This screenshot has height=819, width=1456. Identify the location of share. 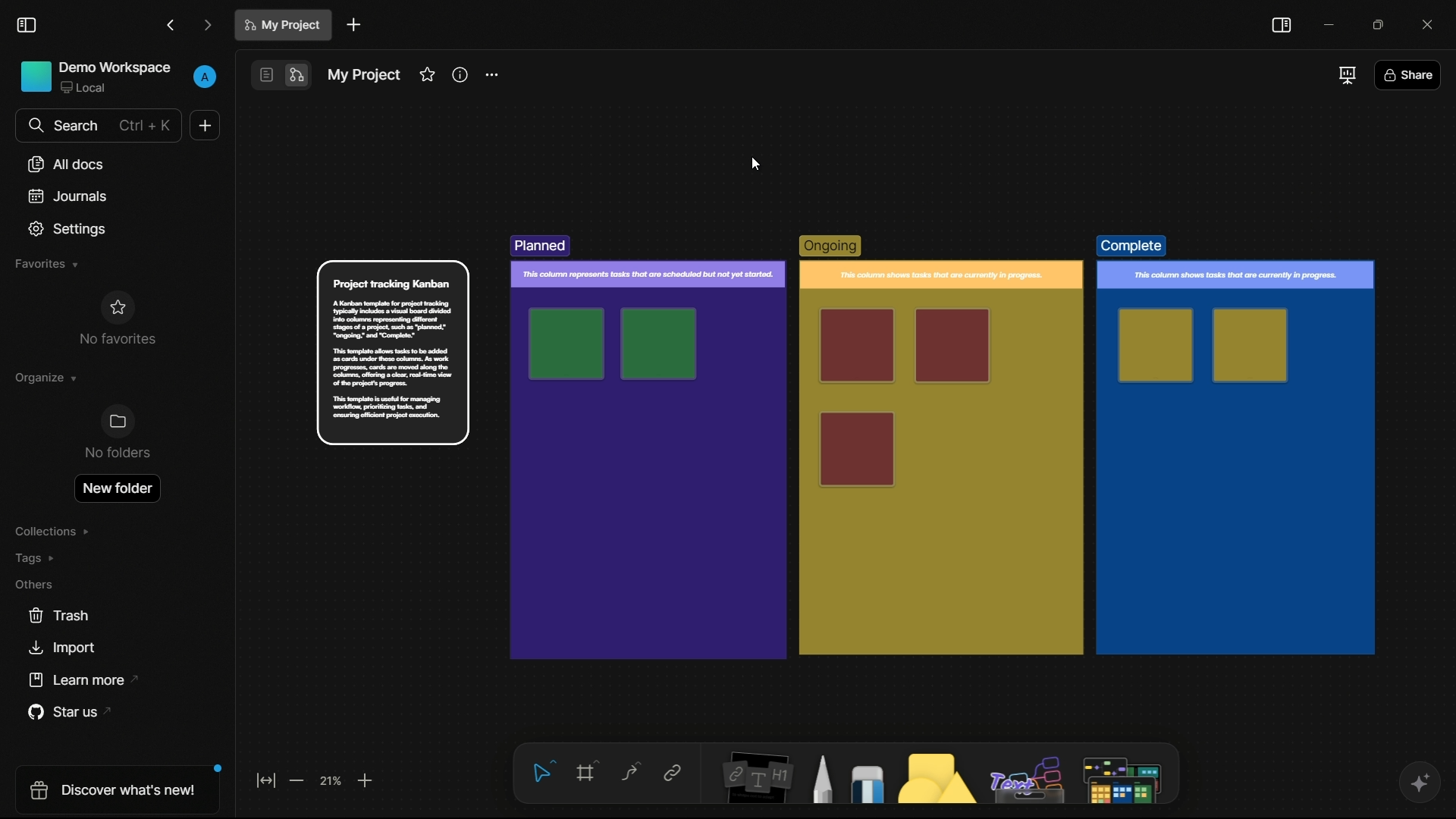
(1407, 77).